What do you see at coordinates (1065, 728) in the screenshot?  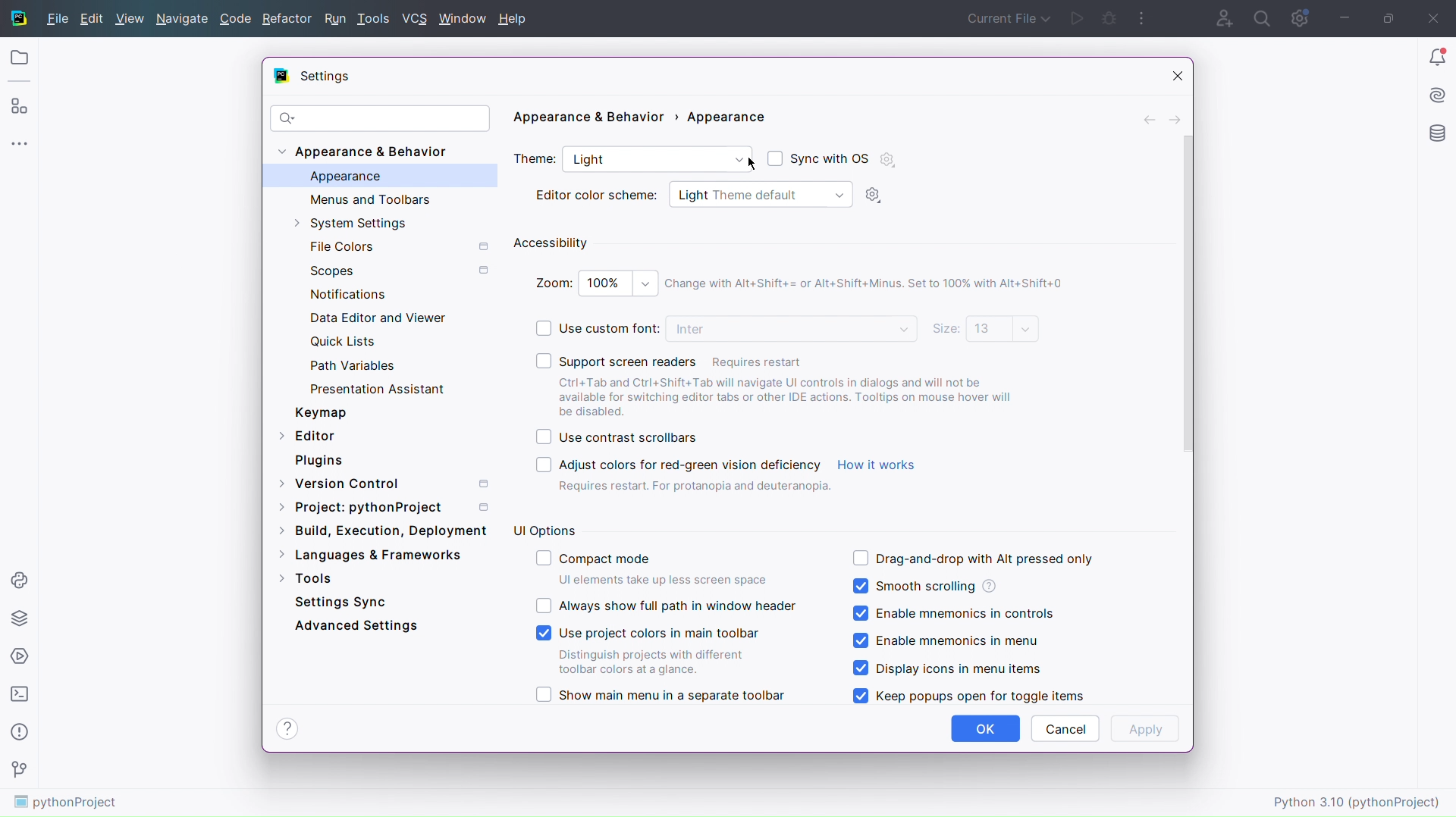 I see `Cancel` at bounding box center [1065, 728].